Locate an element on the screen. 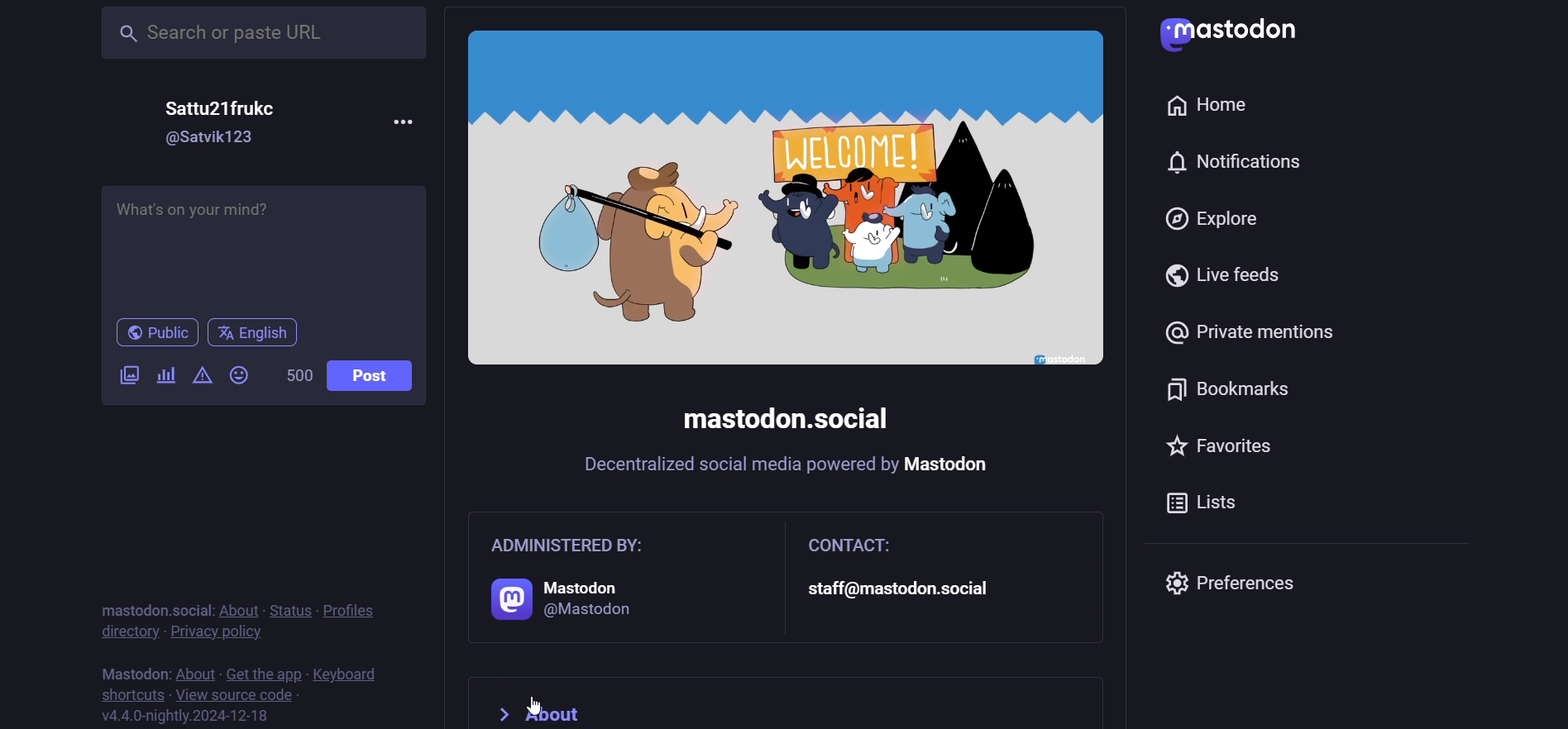 The height and width of the screenshot is (729, 1568). about is located at coordinates (194, 672).